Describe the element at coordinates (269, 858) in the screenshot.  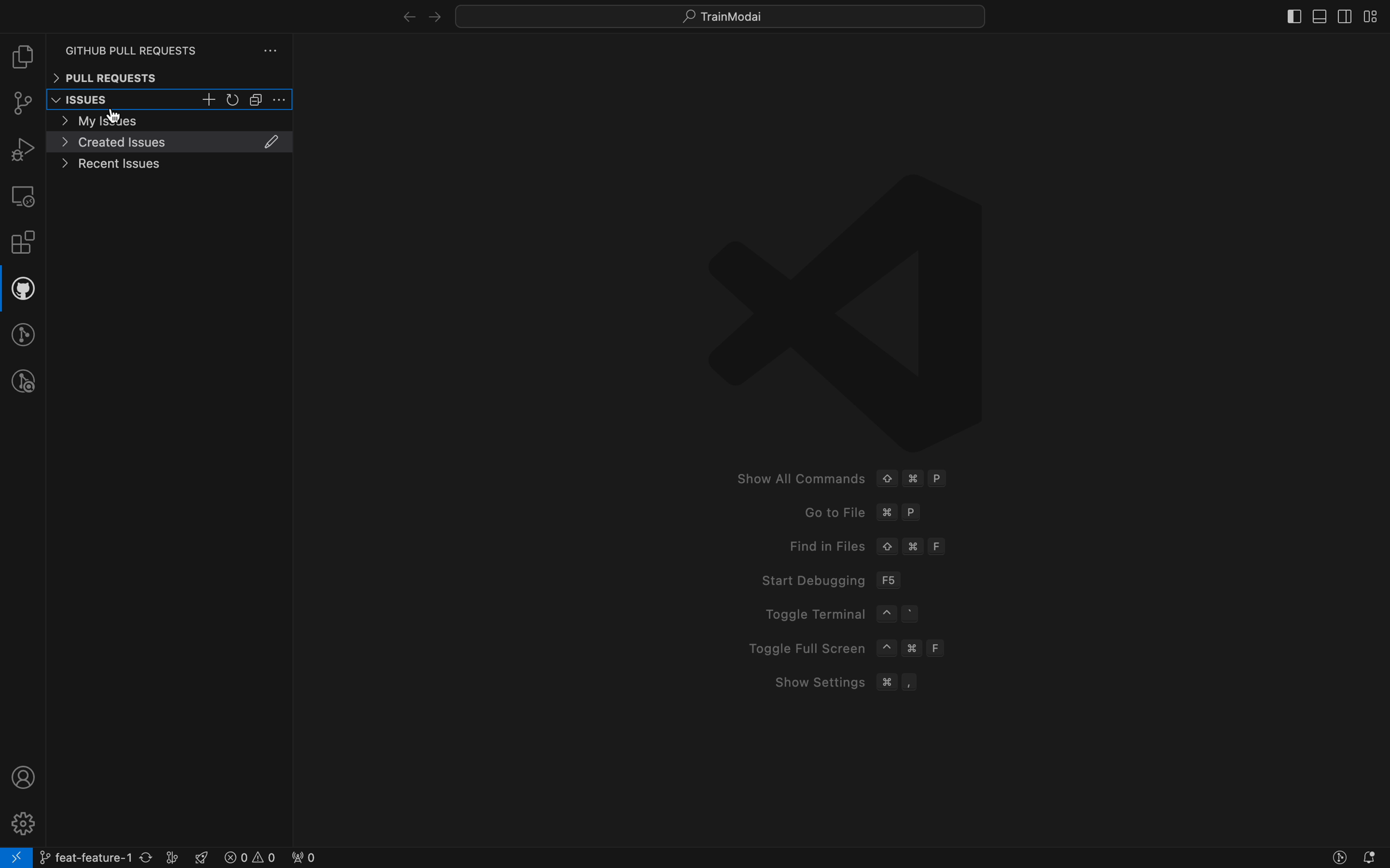
I see `error logs` at that location.